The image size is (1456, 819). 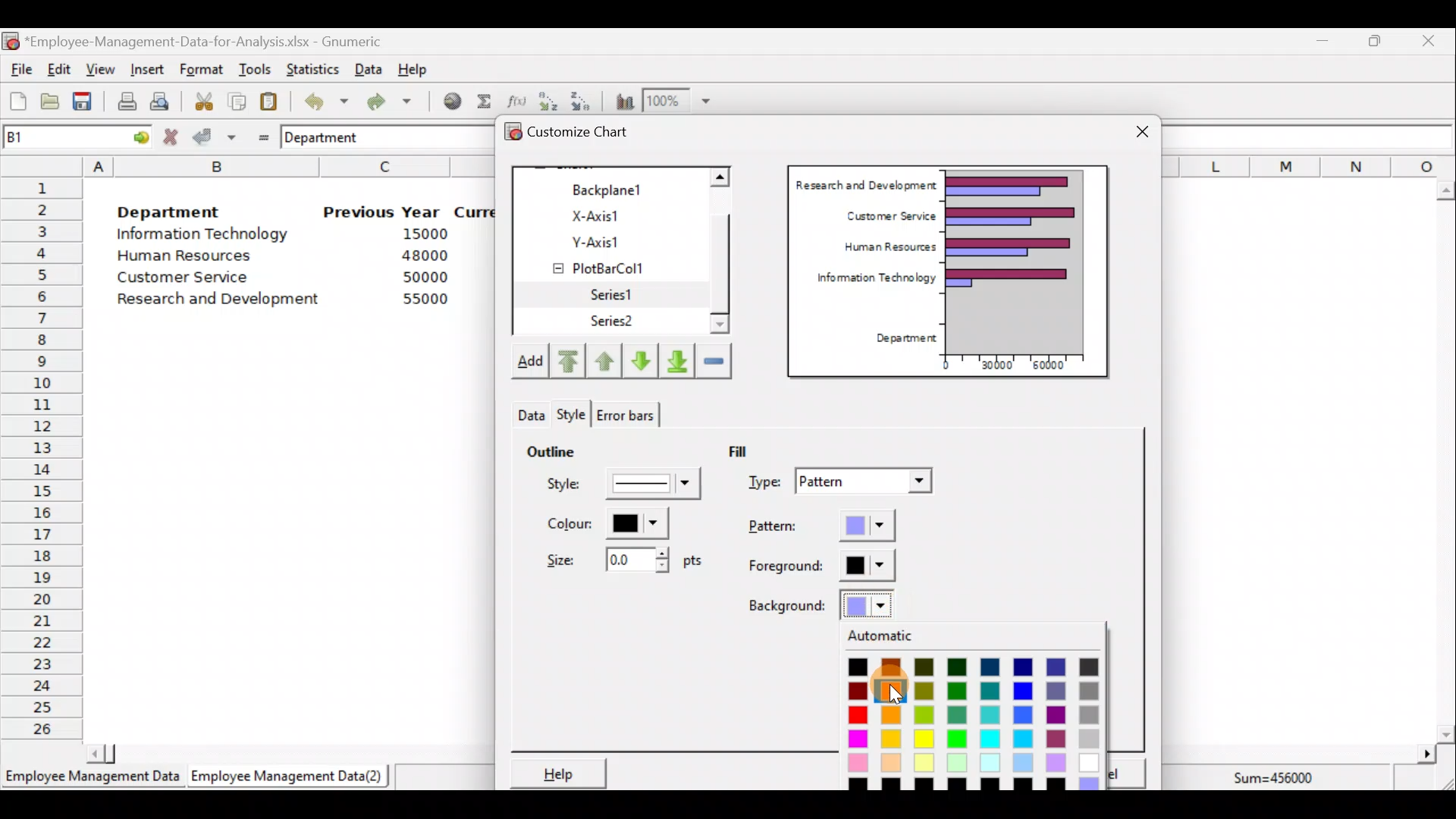 What do you see at coordinates (259, 134) in the screenshot?
I see `Enter formula` at bounding box center [259, 134].